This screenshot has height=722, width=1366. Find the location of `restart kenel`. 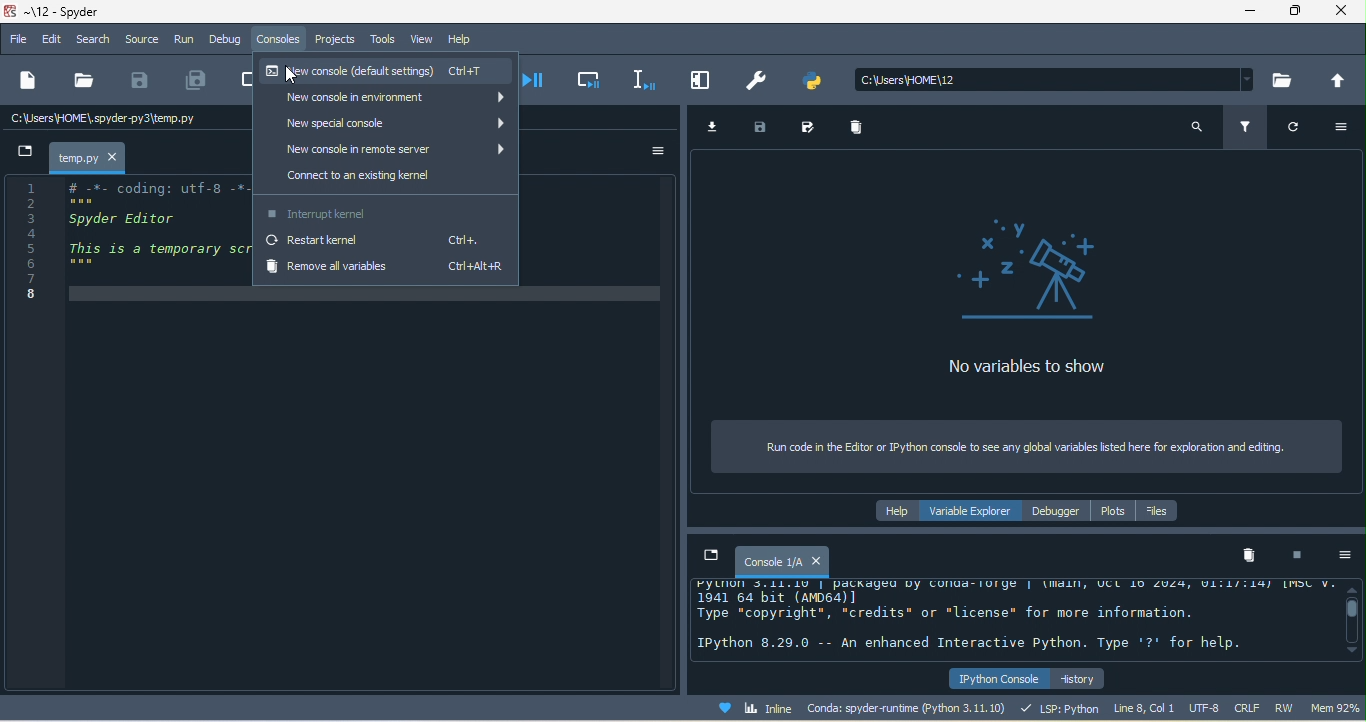

restart kenel is located at coordinates (386, 243).